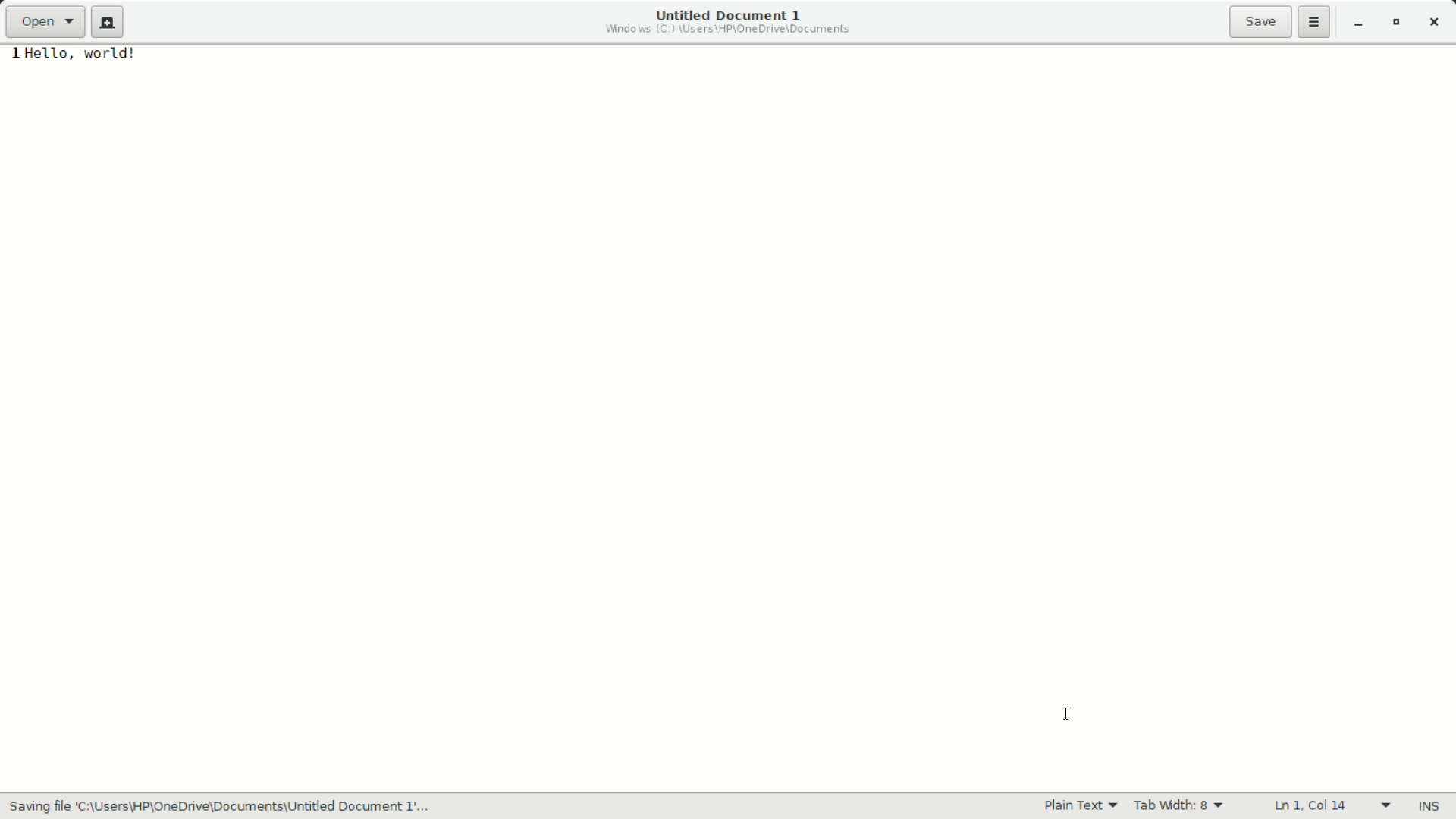 The height and width of the screenshot is (819, 1456). I want to click on Hello, world!, so click(95, 58).